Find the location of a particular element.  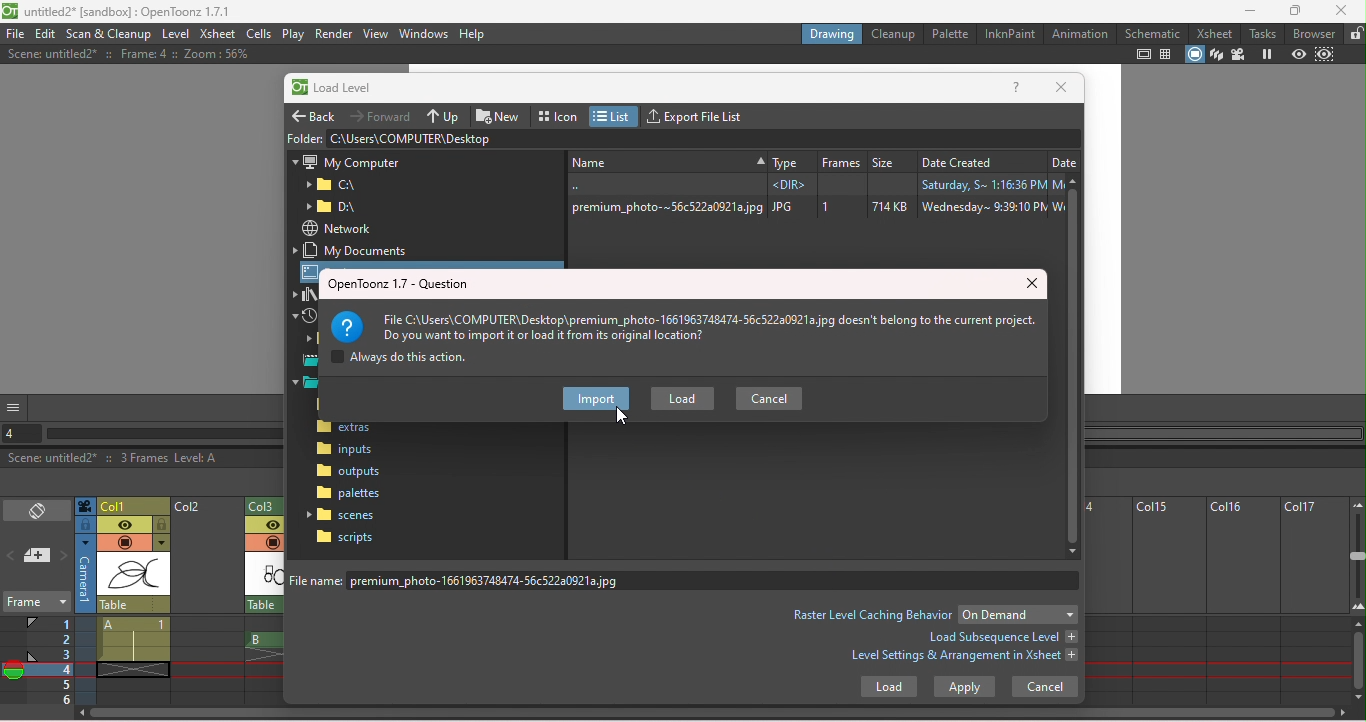

premium_photo-~56c522a0921ajpg JPG 1 714KB Wednesday~ 3:39:10 Ph W is located at coordinates (813, 207).